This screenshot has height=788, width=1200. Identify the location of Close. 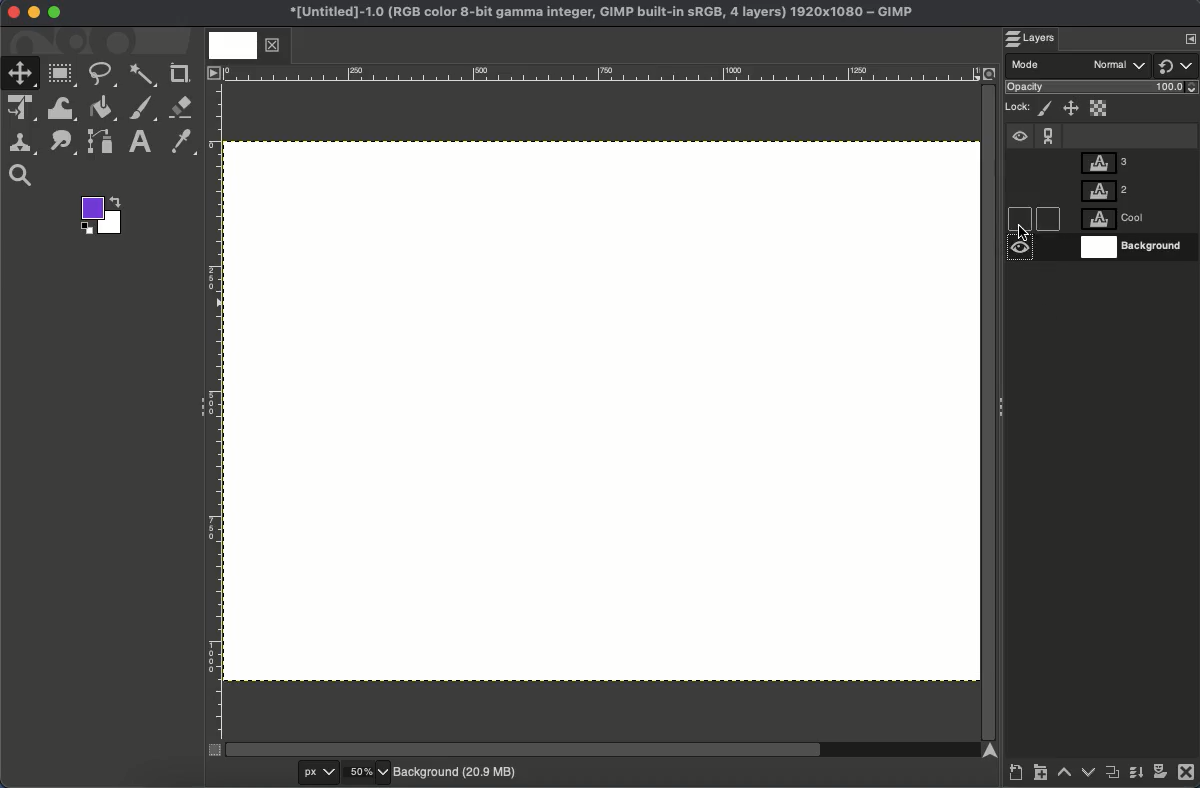
(1186, 775).